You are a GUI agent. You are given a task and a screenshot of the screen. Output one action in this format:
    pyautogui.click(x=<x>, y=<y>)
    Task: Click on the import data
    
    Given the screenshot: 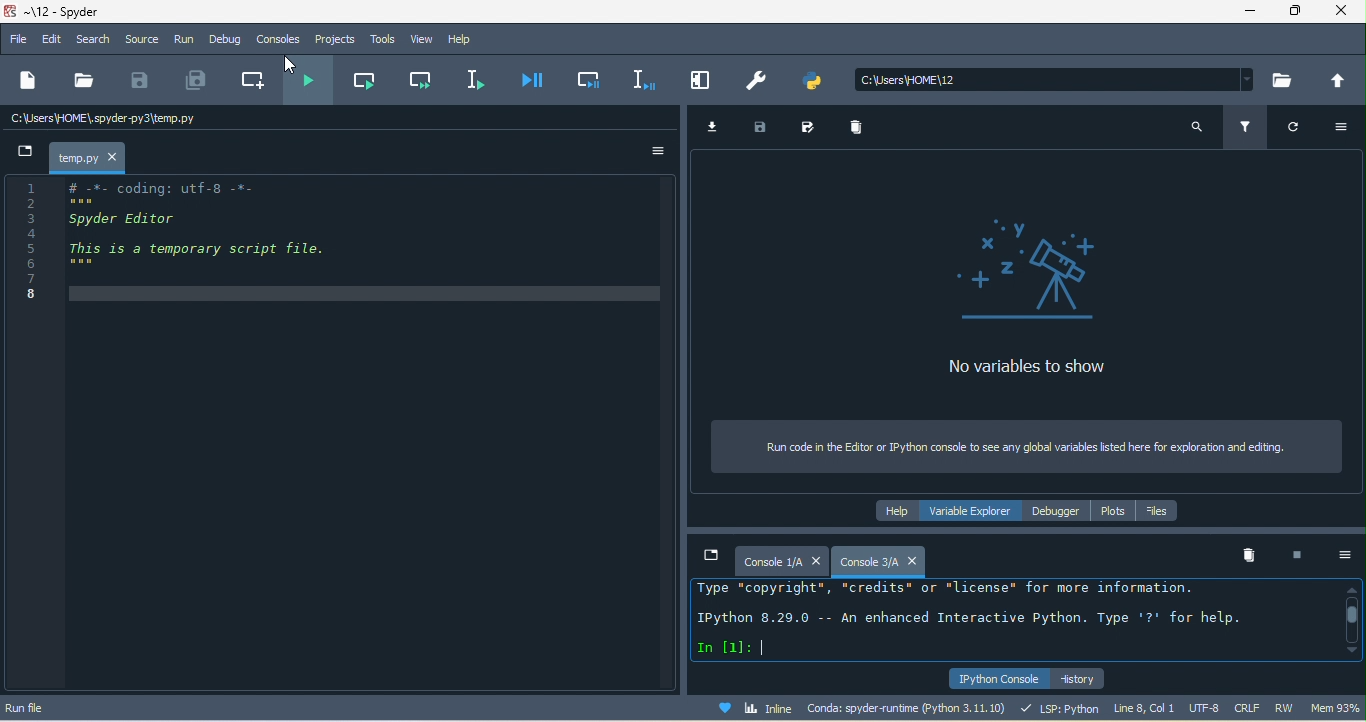 What is the action you would take?
    pyautogui.click(x=716, y=127)
    